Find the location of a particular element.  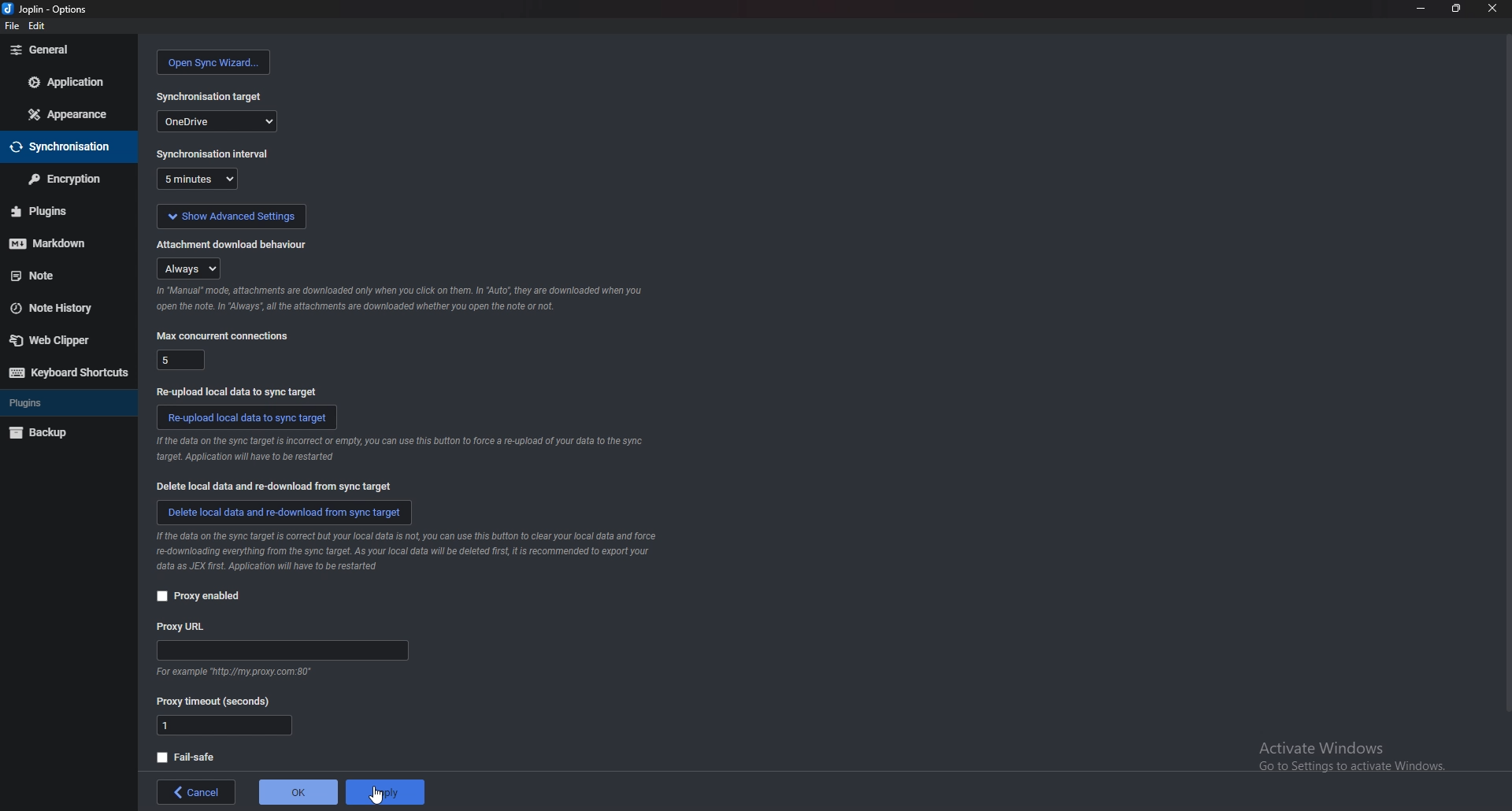

general is located at coordinates (70, 50).